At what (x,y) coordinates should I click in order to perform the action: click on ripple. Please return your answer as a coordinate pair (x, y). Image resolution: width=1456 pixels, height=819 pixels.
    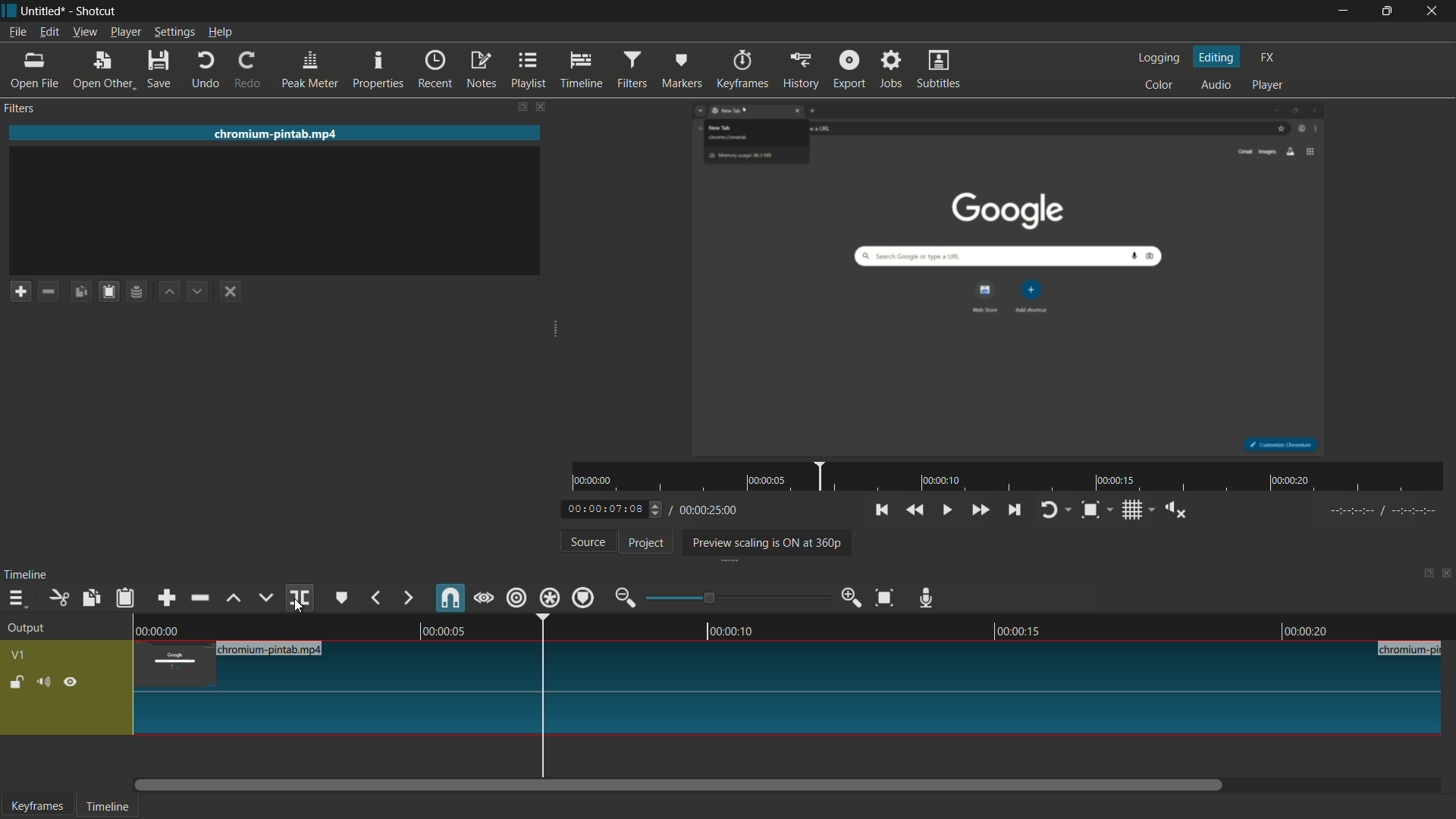
    Looking at the image, I should click on (516, 598).